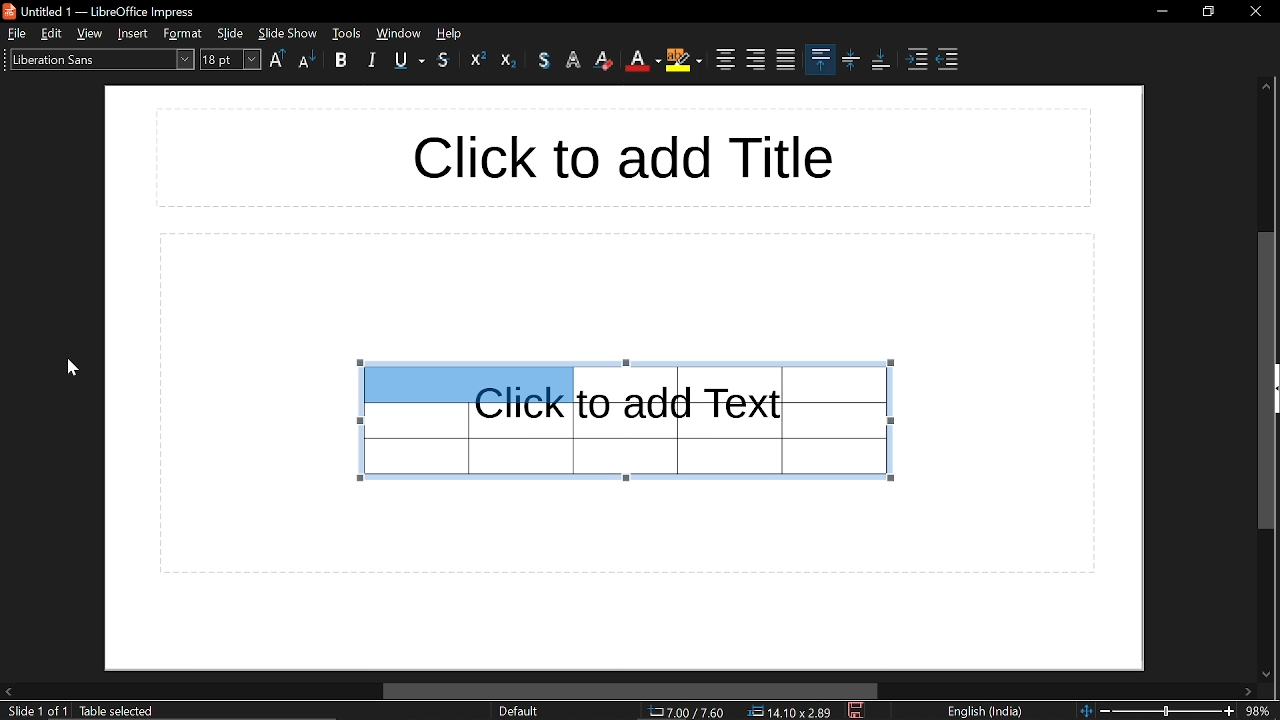 This screenshot has width=1280, height=720. Describe the element at coordinates (307, 61) in the screenshot. I see `lower case` at that location.